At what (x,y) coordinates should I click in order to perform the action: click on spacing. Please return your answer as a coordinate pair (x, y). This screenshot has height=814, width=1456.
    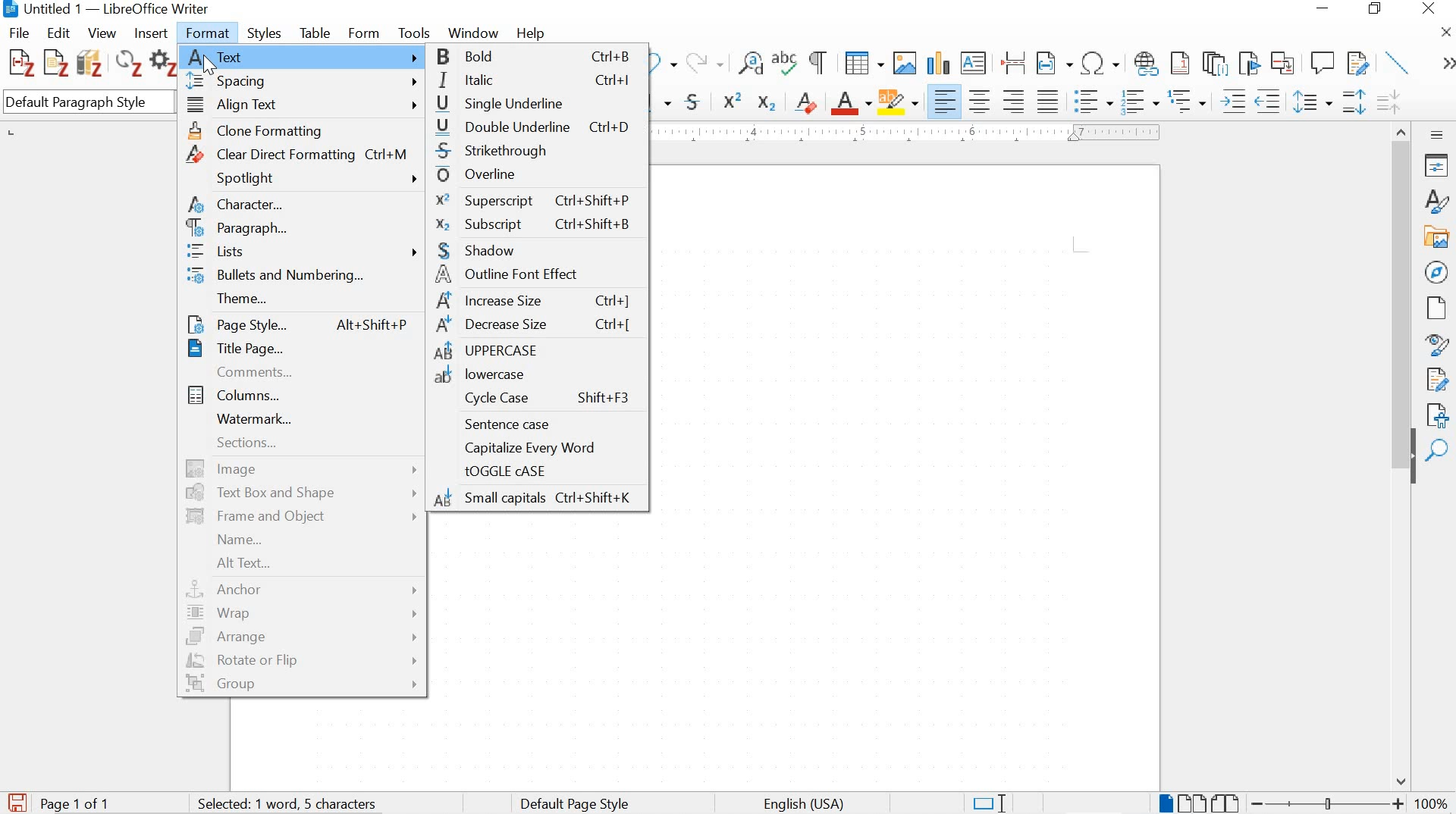
    Looking at the image, I should click on (303, 82).